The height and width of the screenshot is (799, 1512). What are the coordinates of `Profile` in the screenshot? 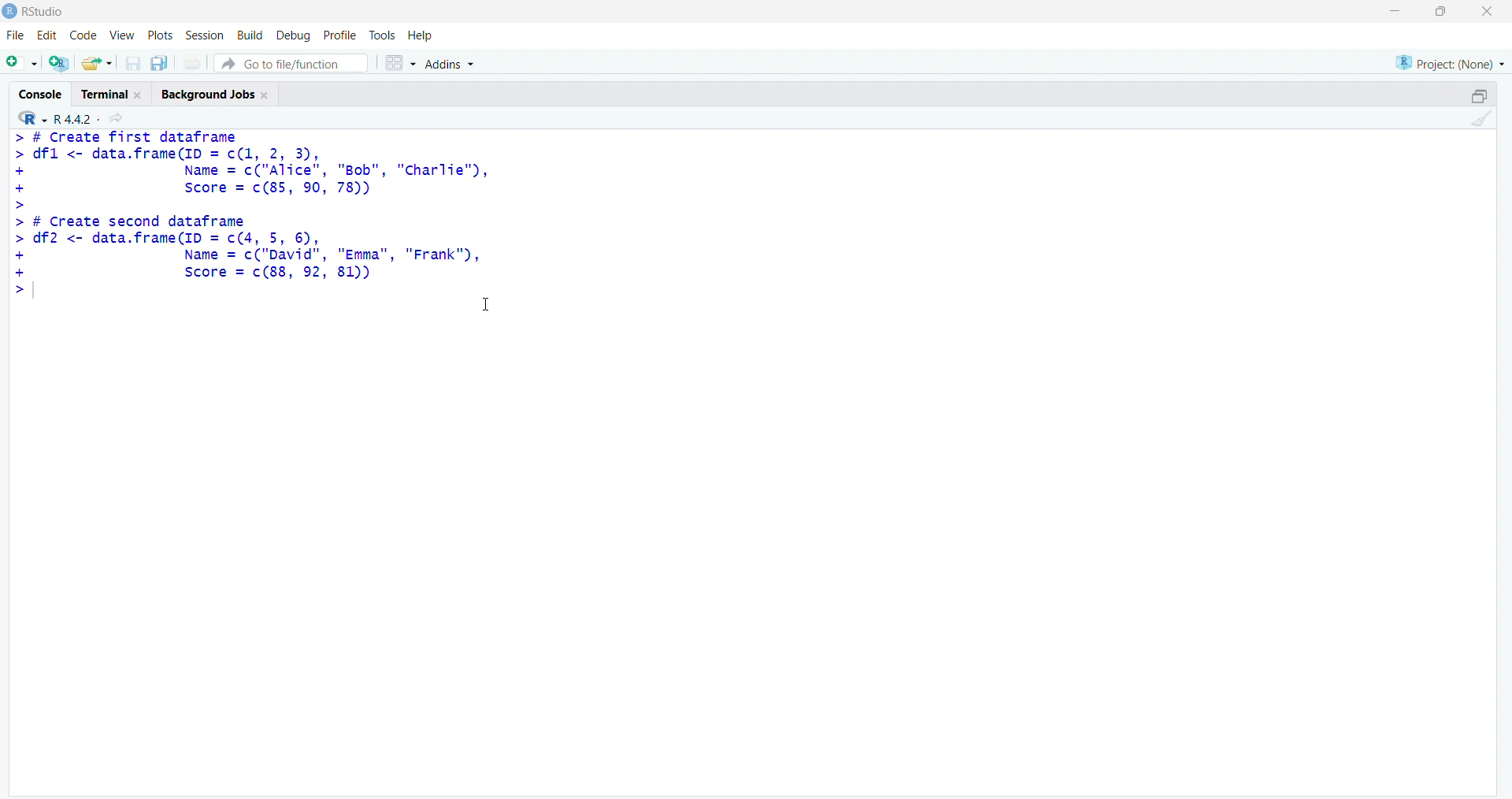 It's located at (340, 35).